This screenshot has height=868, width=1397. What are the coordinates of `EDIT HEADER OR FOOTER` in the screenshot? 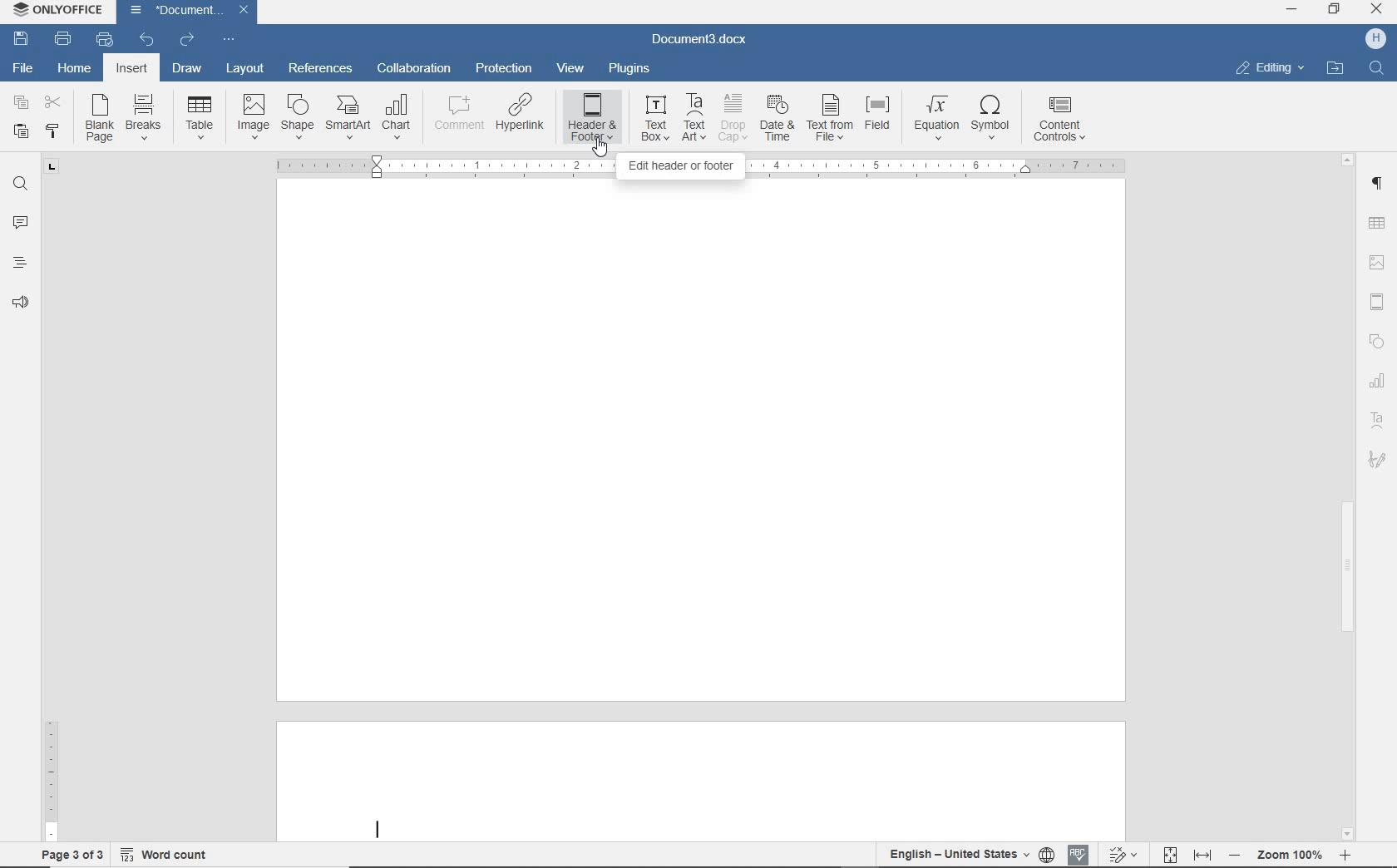 It's located at (680, 168).